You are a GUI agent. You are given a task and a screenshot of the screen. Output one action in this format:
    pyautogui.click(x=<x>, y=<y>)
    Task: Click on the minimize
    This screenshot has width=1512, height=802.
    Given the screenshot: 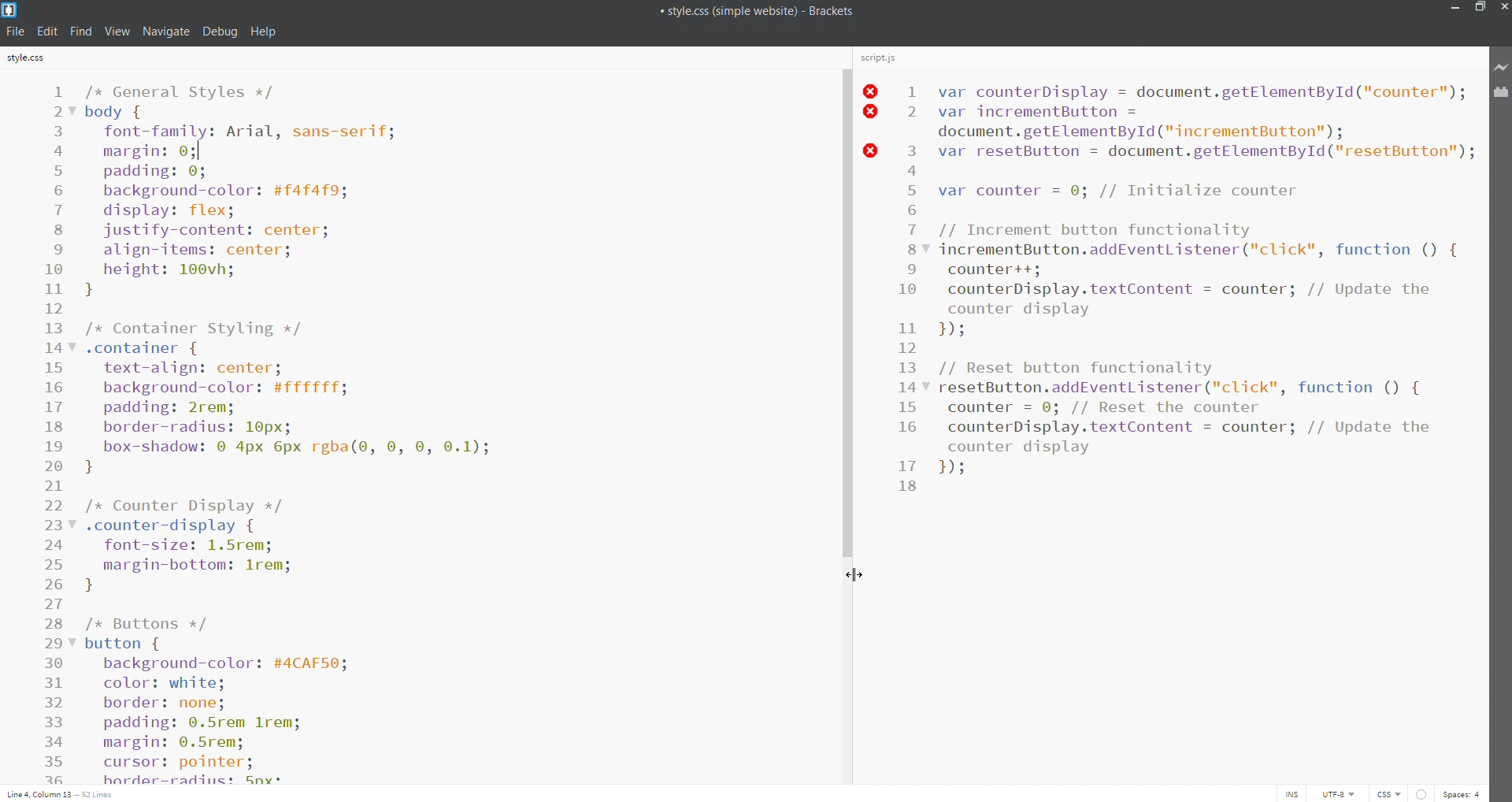 What is the action you would take?
    pyautogui.click(x=1455, y=9)
    